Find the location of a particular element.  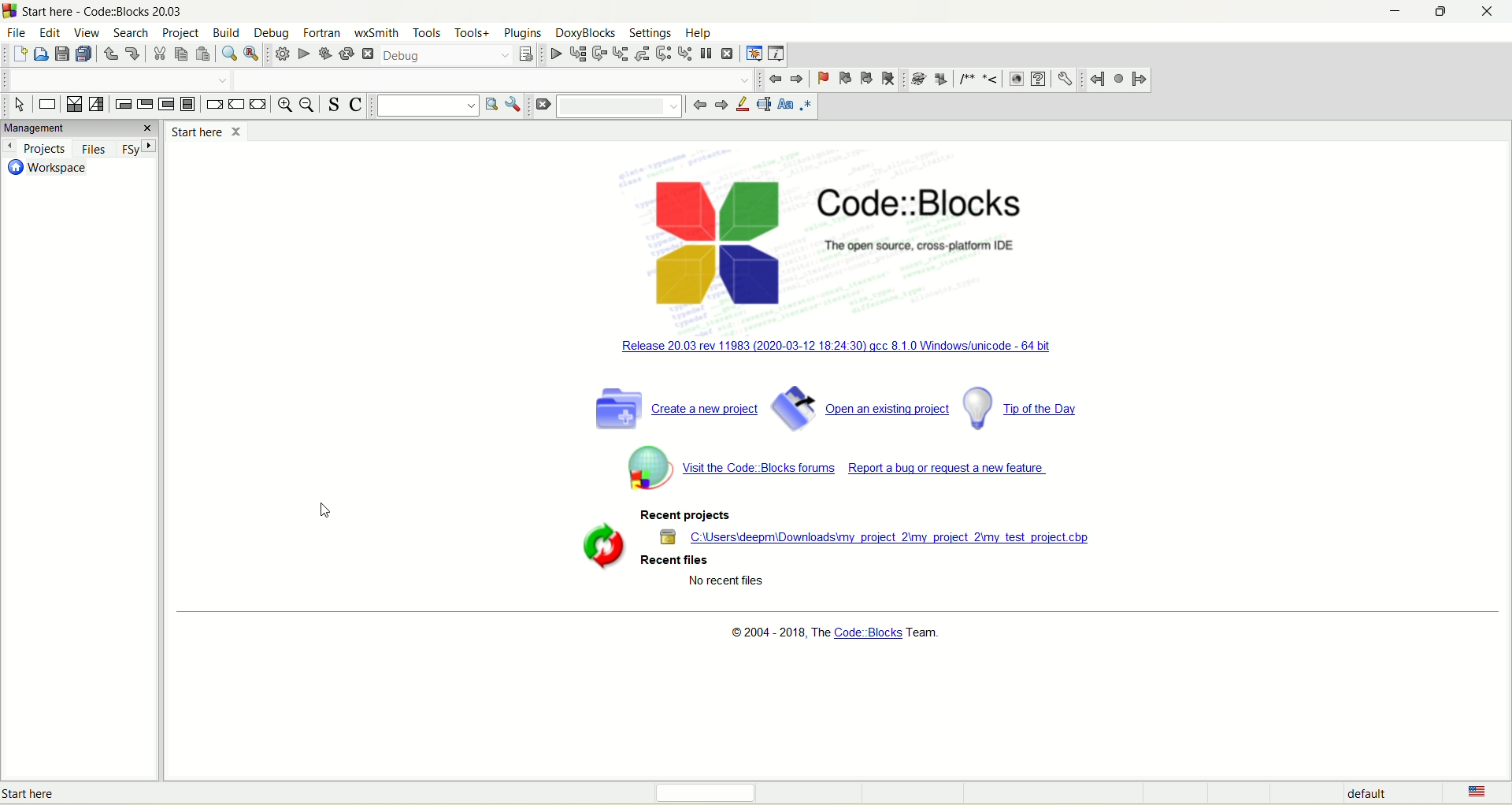

go forward is located at coordinates (721, 103).